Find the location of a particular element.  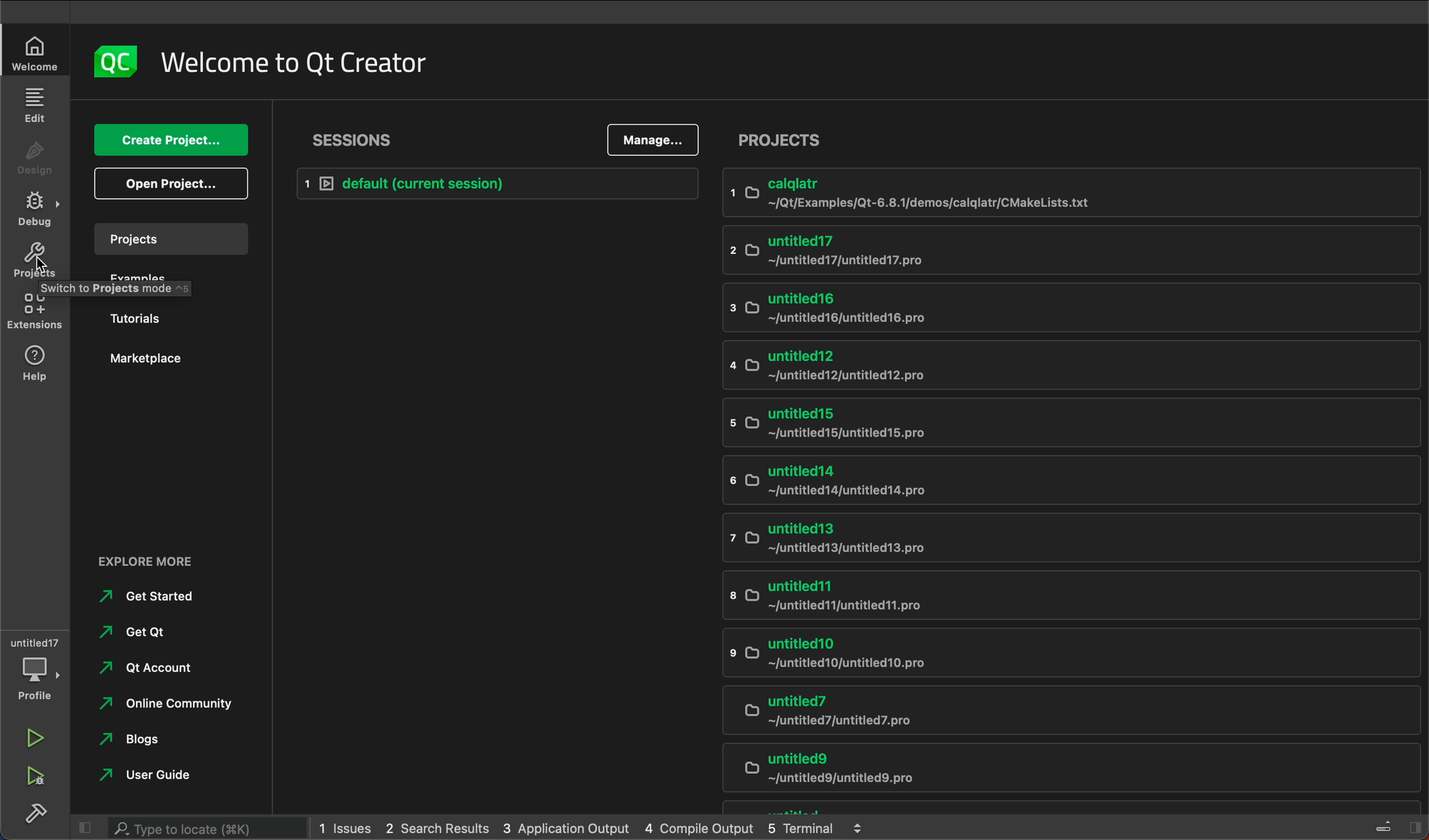

untitled11 is located at coordinates (1059, 596).